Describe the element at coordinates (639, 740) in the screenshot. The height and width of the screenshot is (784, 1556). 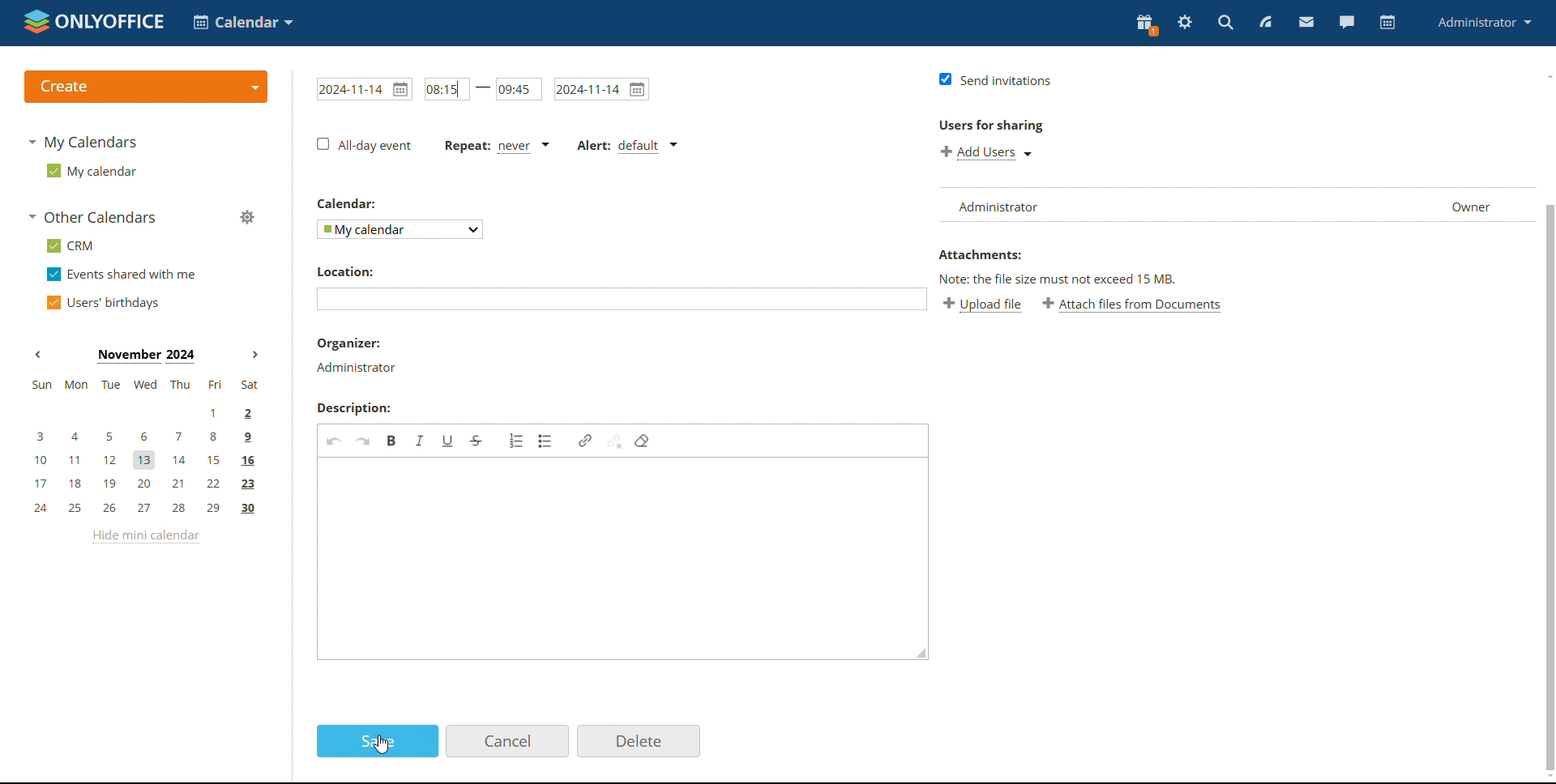
I see `delete` at that location.